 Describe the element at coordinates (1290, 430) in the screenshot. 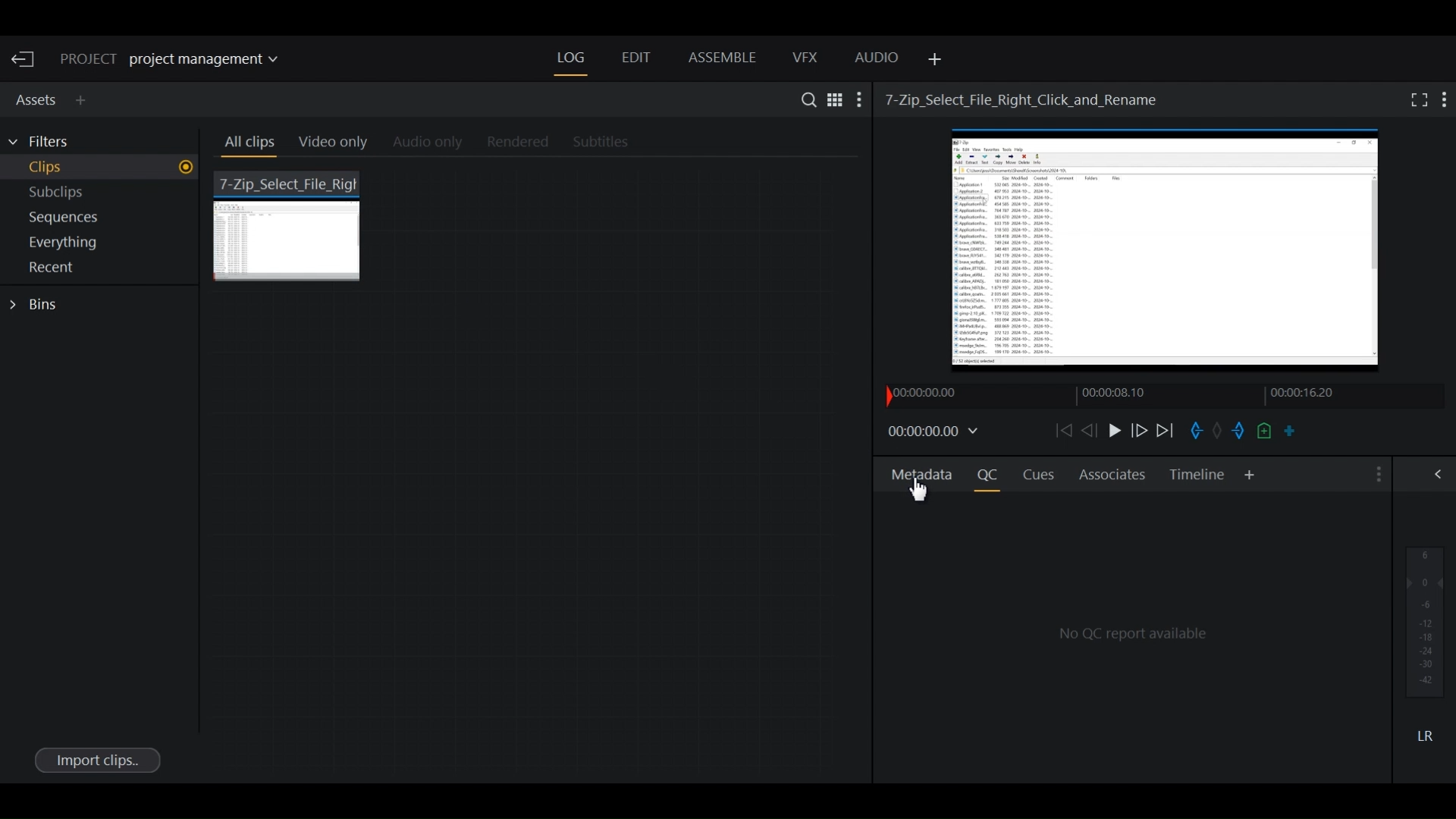

I see `Make a subclip from the marked section` at that location.